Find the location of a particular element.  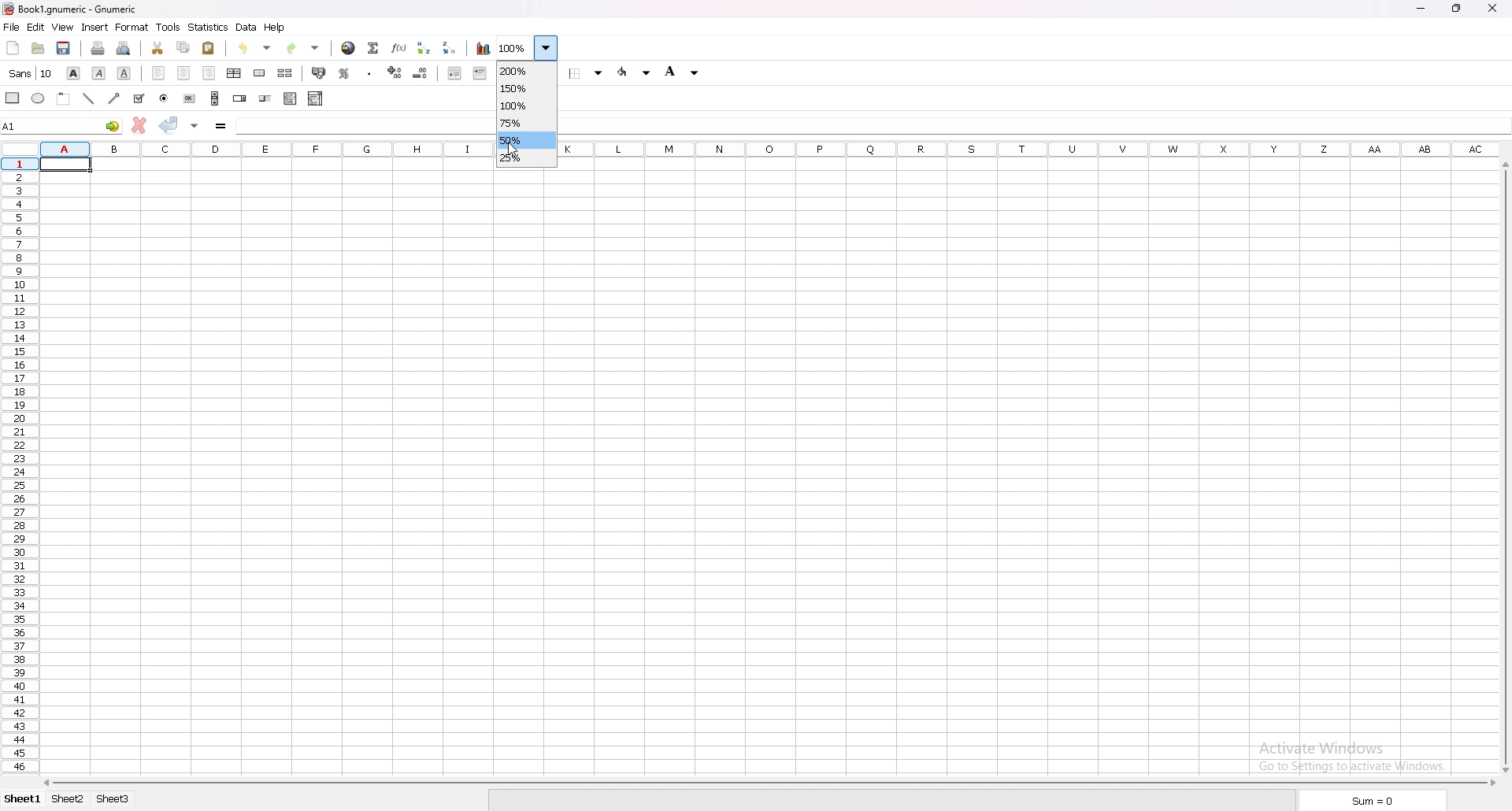

slider is located at coordinates (265, 99).